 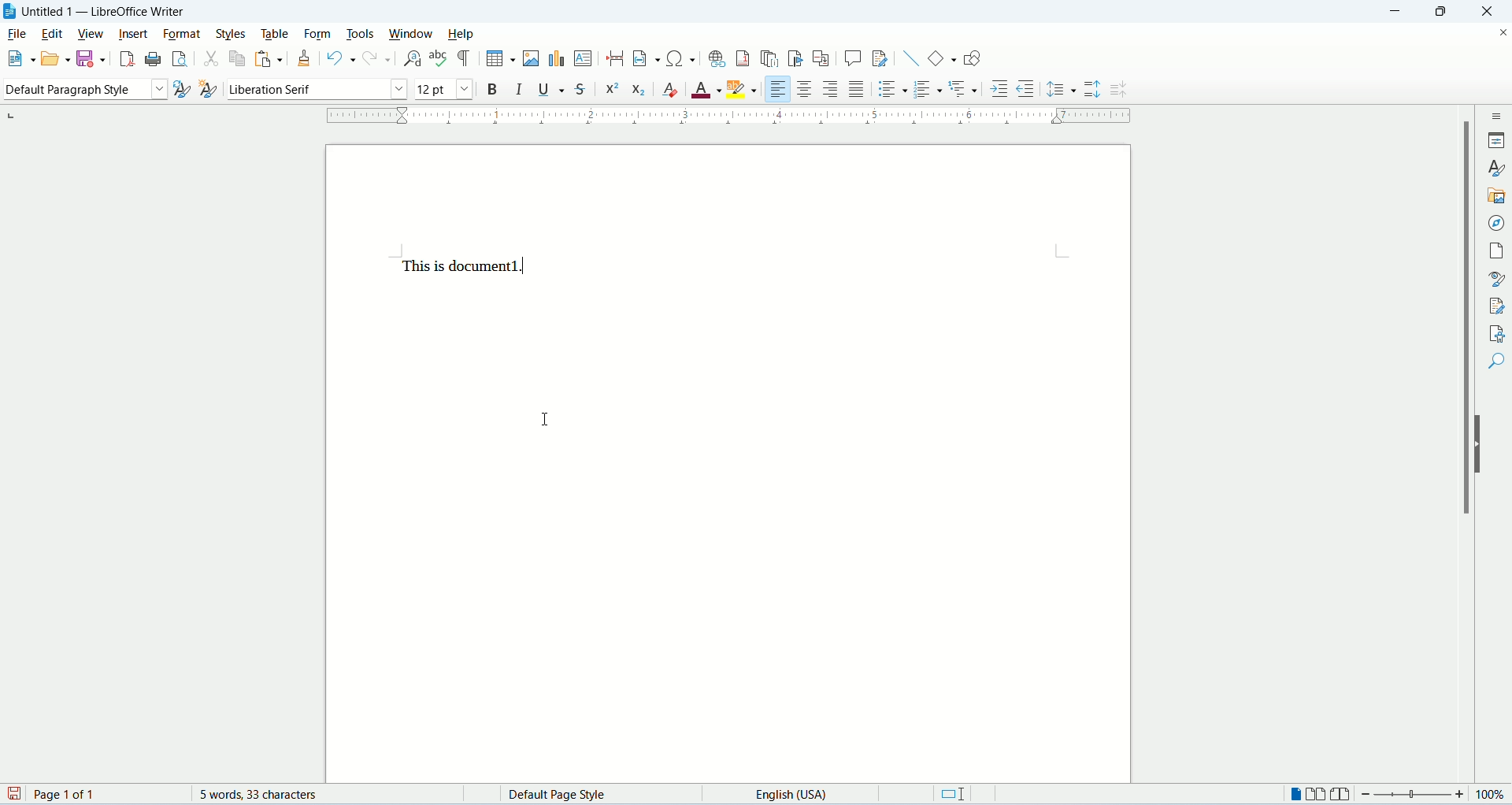 What do you see at coordinates (1495, 196) in the screenshot?
I see `gallery` at bounding box center [1495, 196].